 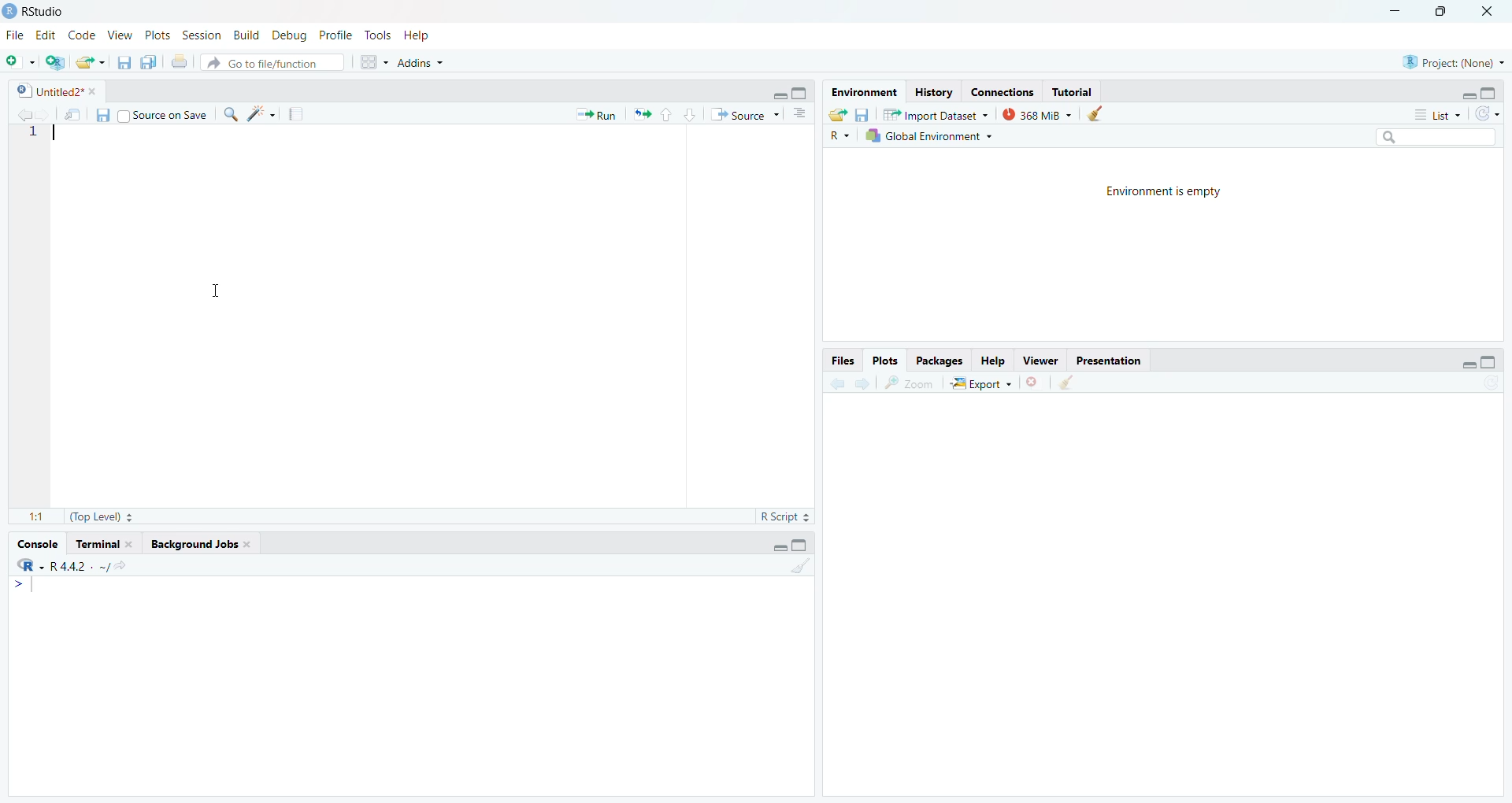 What do you see at coordinates (120, 36) in the screenshot?
I see `2 View` at bounding box center [120, 36].